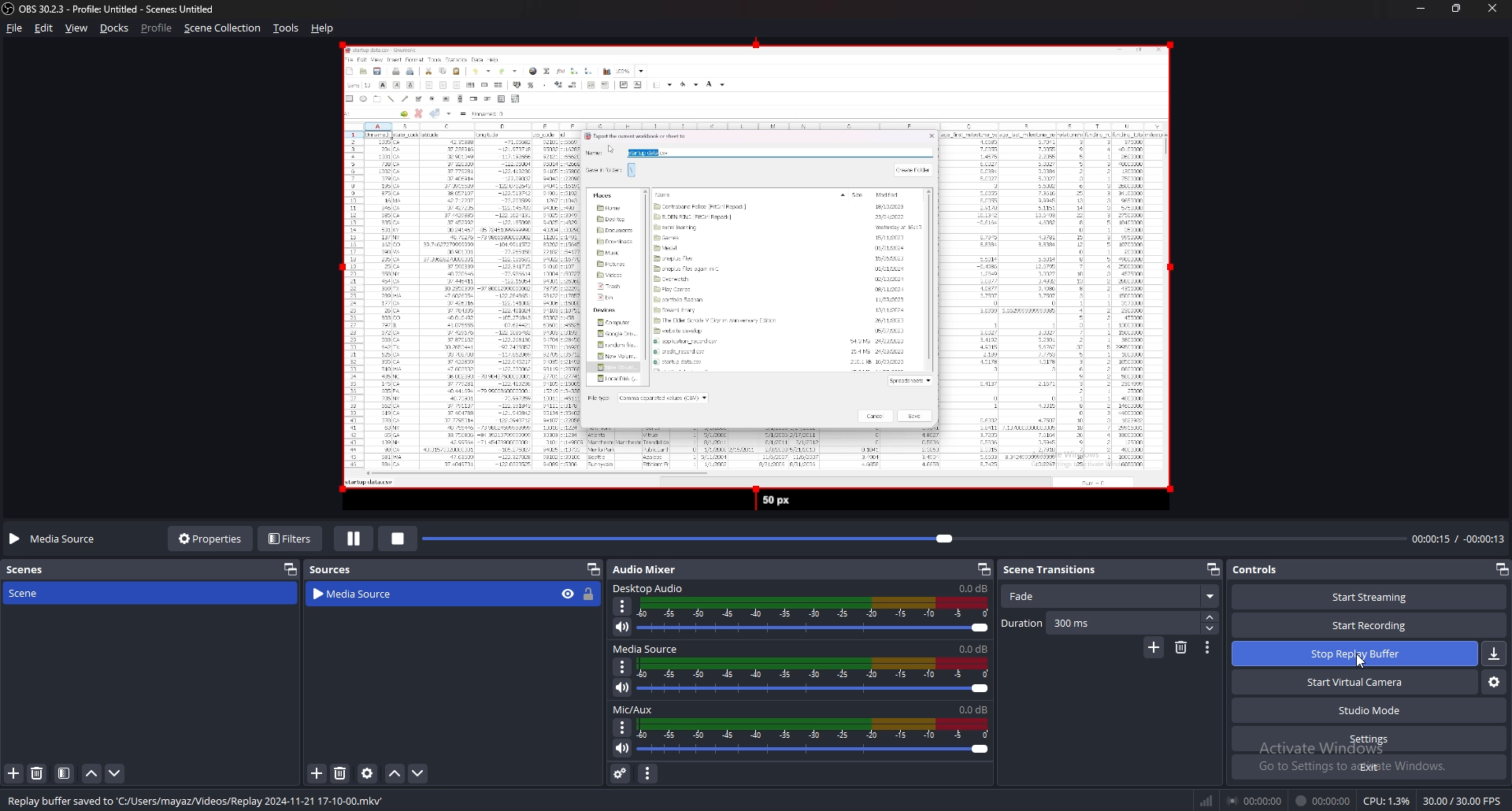 The height and width of the screenshot is (811, 1512). What do you see at coordinates (1371, 596) in the screenshot?
I see `start streaming` at bounding box center [1371, 596].